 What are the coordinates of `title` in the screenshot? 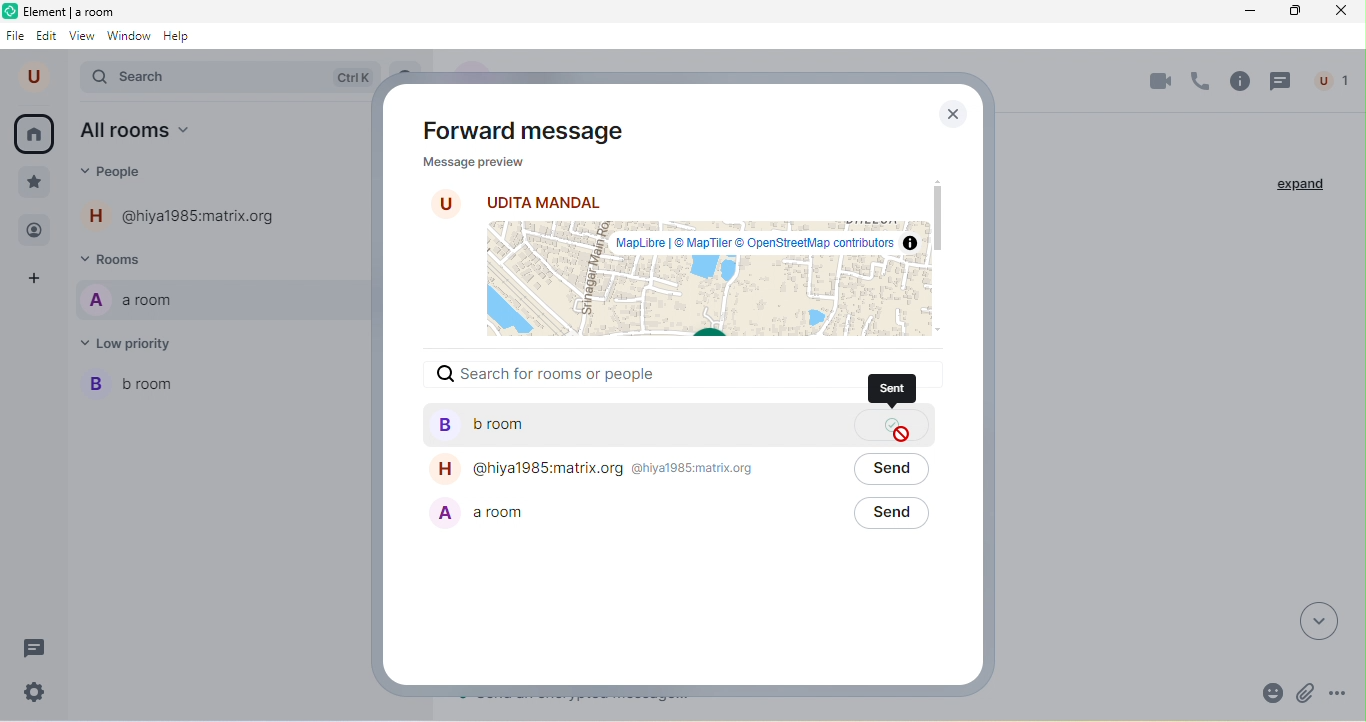 It's located at (59, 12).